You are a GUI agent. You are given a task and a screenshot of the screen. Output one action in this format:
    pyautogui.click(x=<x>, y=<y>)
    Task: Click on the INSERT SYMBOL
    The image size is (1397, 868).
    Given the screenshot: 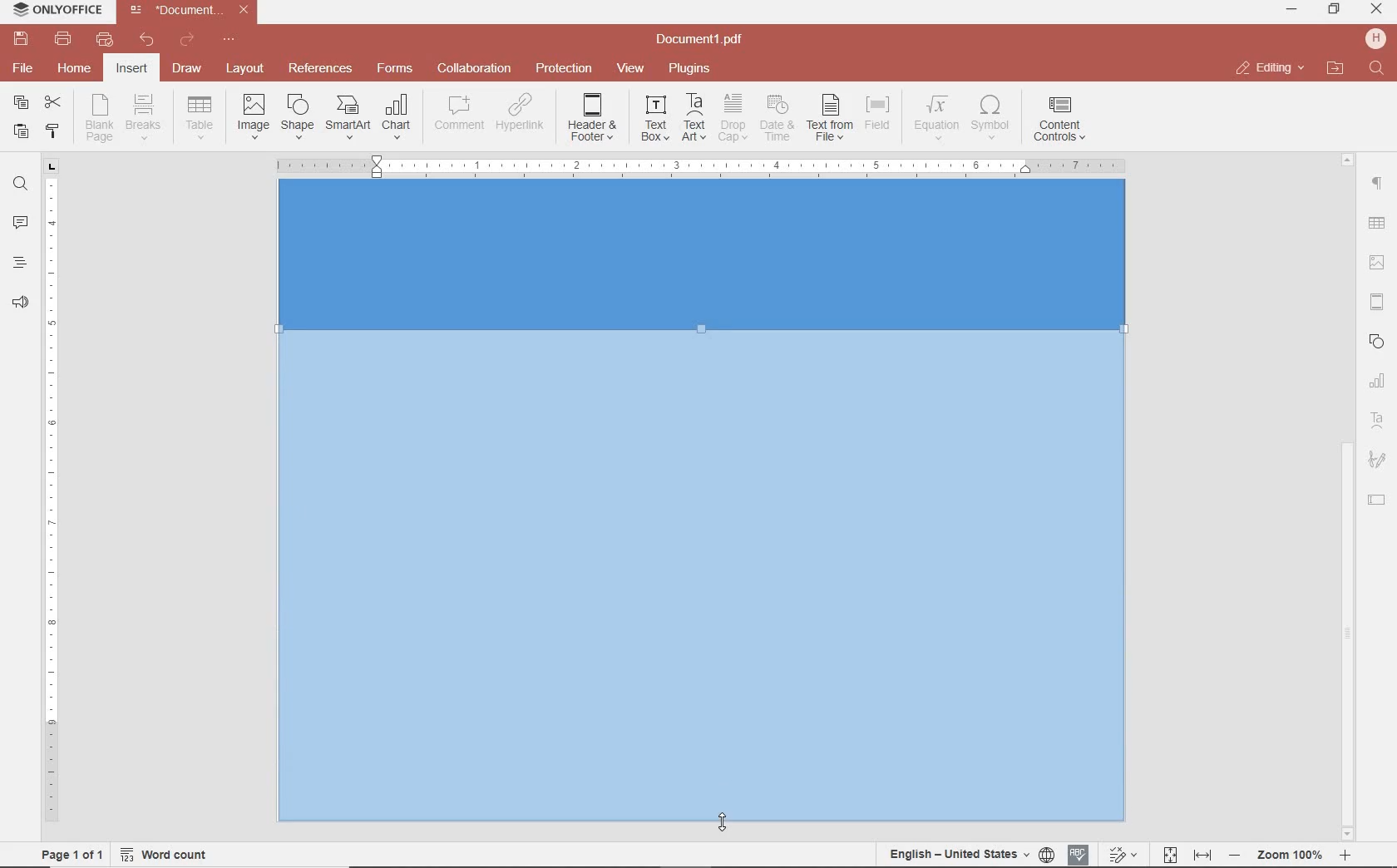 What is the action you would take?
    pyautogui.click(x=990, y=116)
    